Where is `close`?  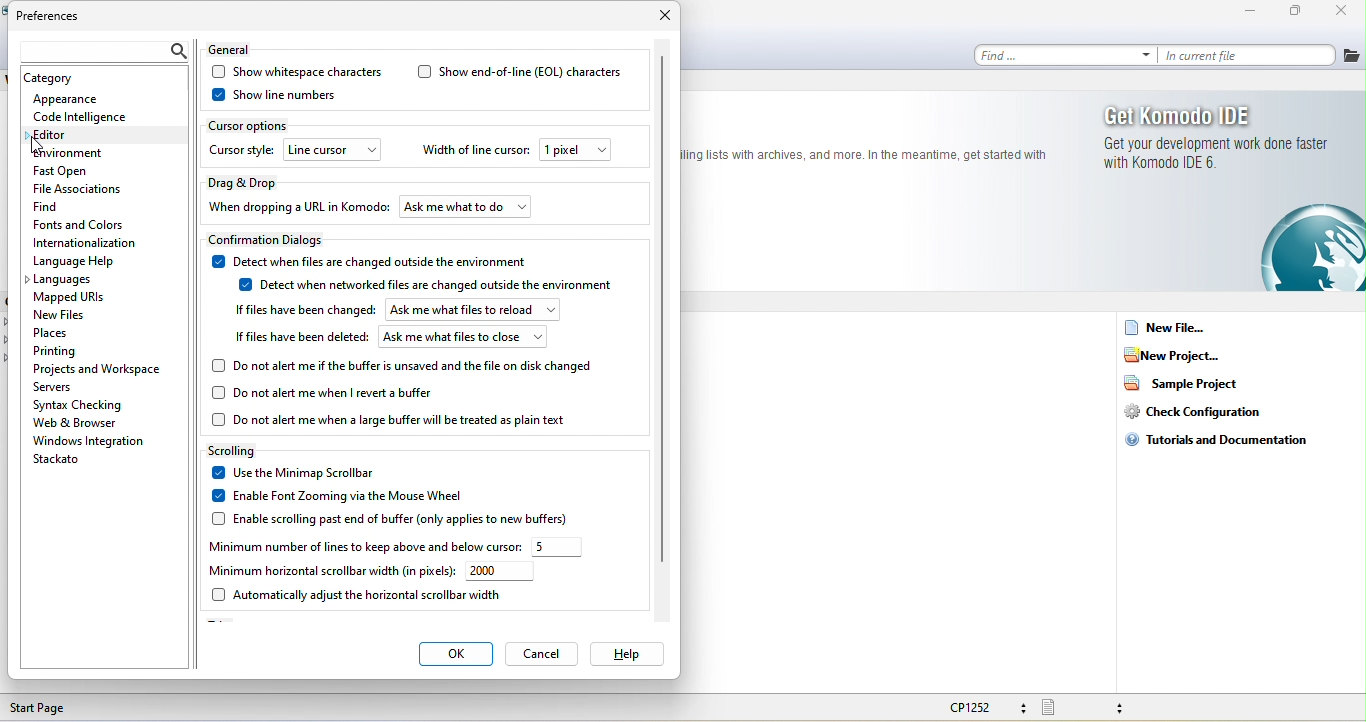
close is located at coordinates (1347, 12).